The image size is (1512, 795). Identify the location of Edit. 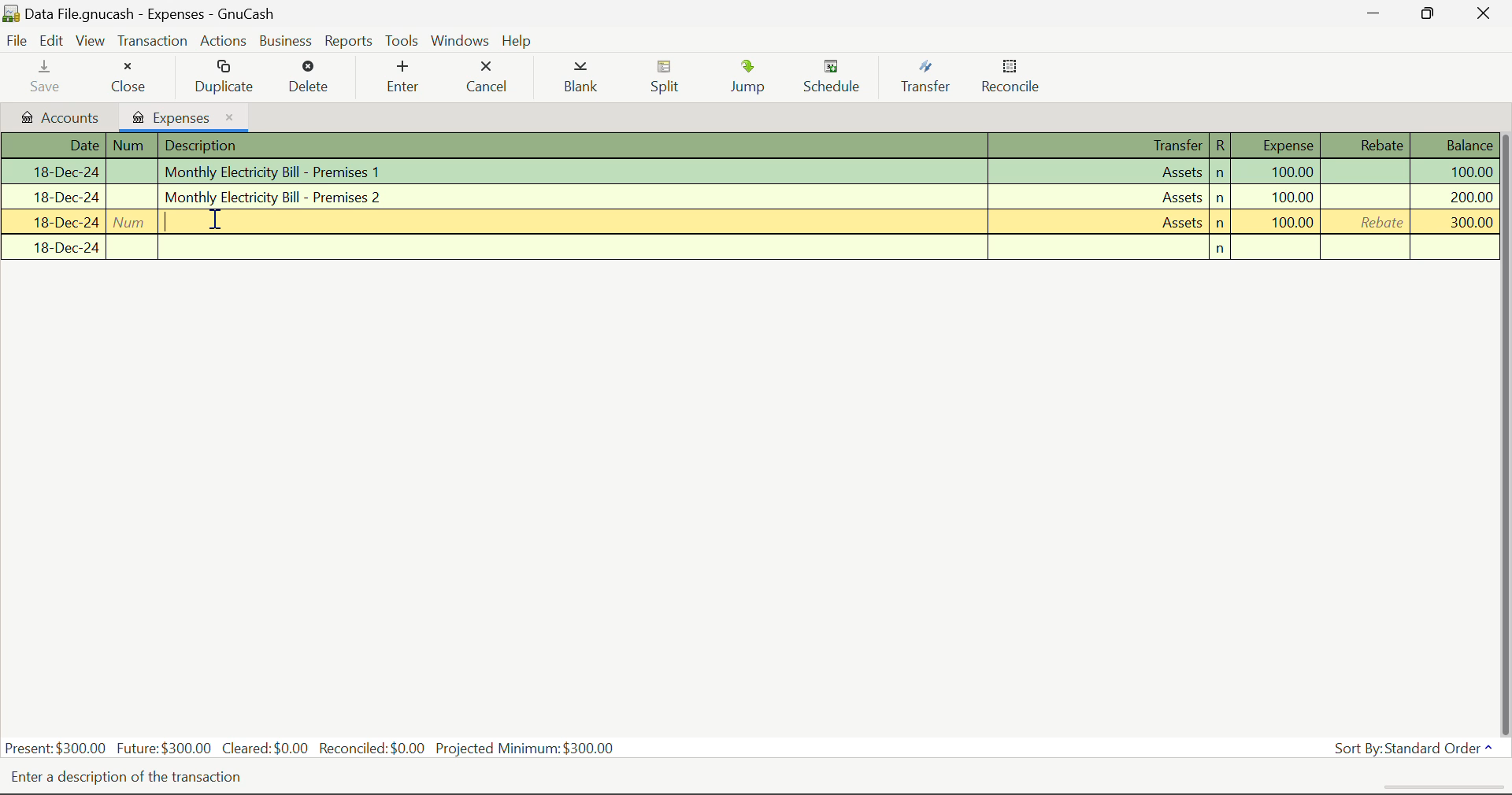
(54, 42).